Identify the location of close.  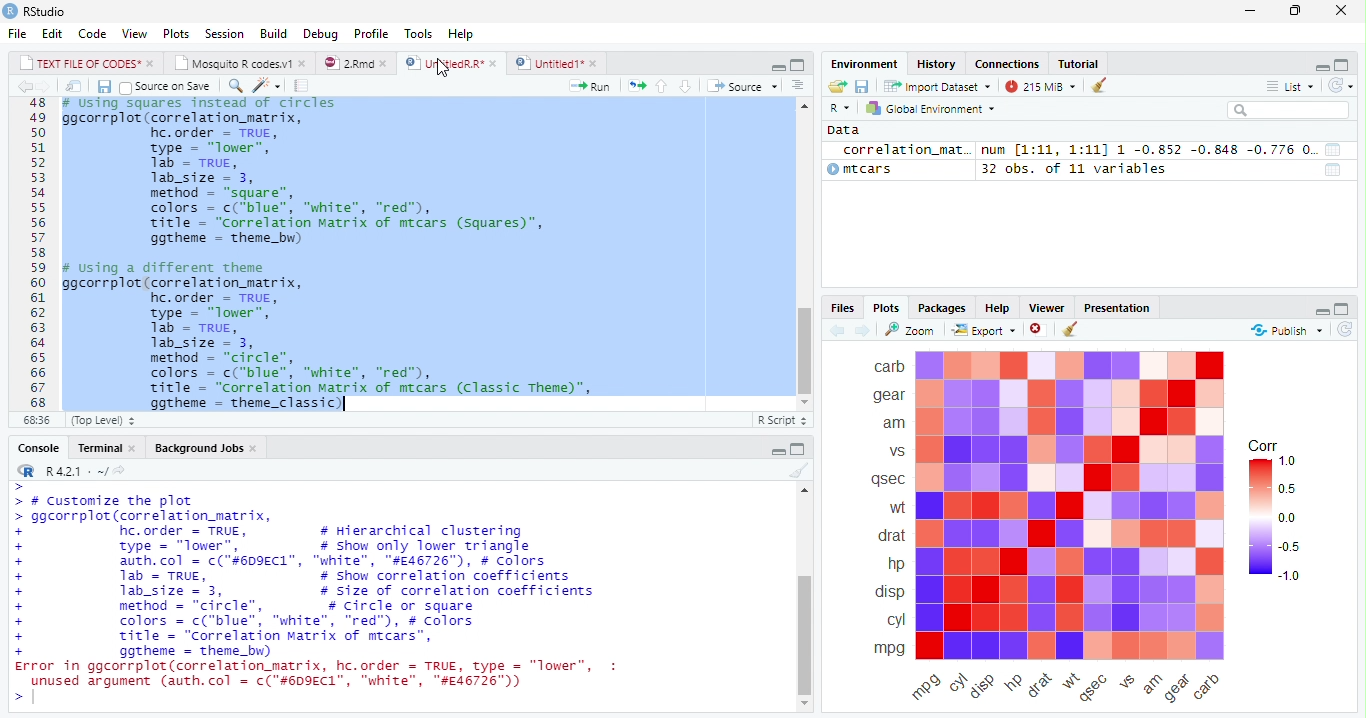
(1337, 10).